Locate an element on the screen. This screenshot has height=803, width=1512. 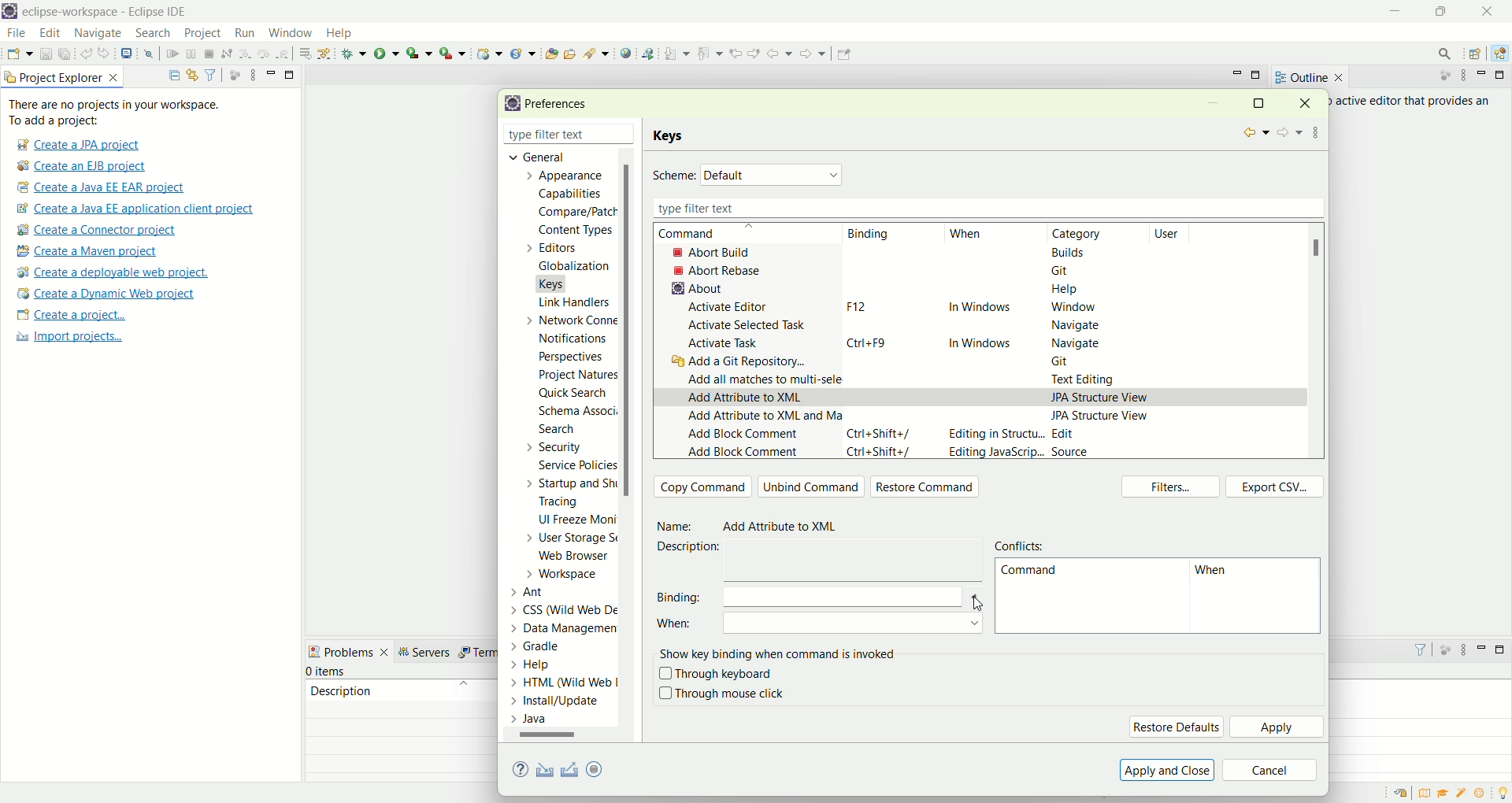
export is located at coordinates (606, 768).